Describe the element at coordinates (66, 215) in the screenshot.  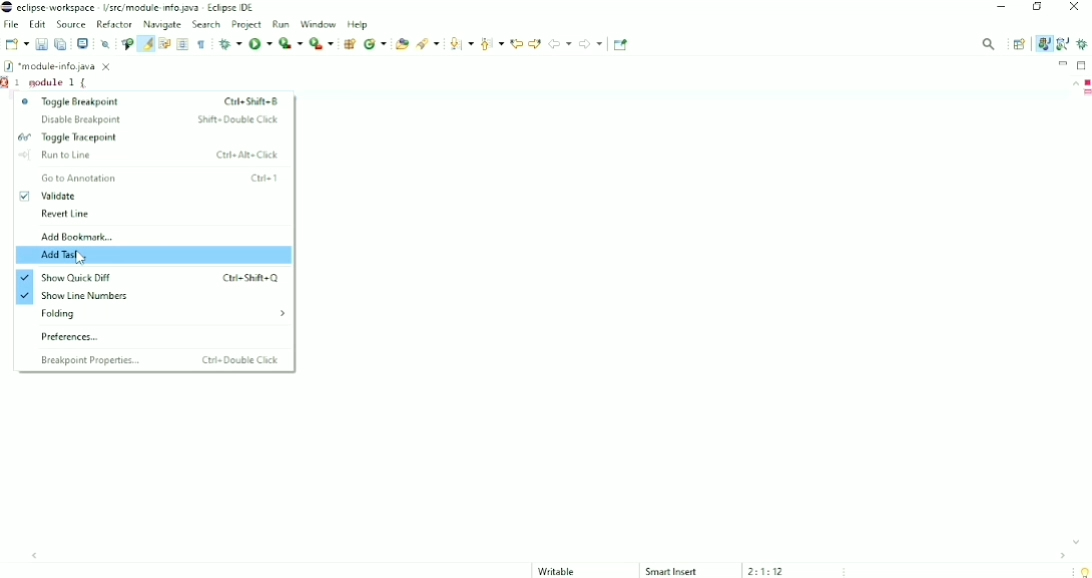
I see `Revert Line` at that location.